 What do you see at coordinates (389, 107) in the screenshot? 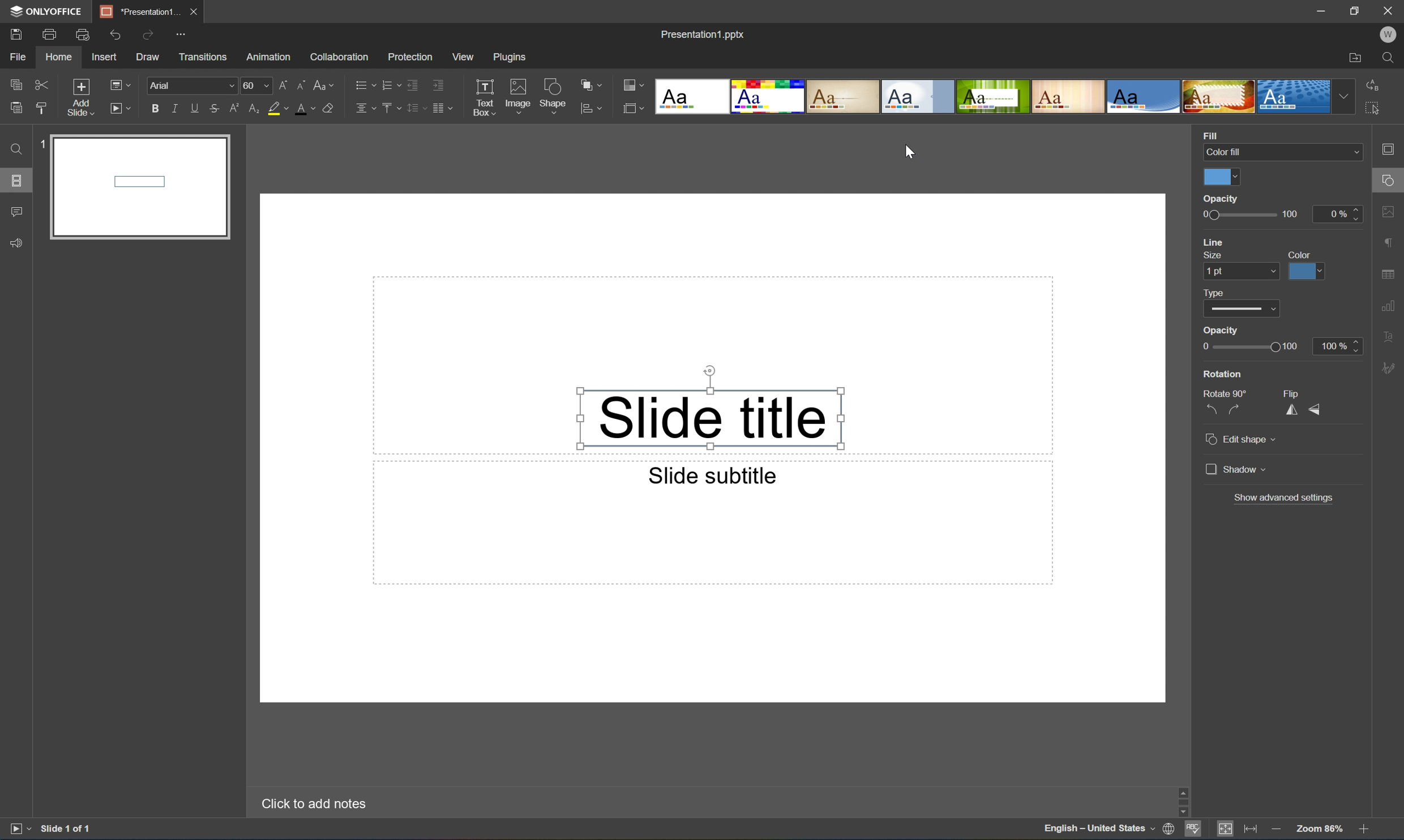
I see `Vertically align` at bounding box center [389, 107].